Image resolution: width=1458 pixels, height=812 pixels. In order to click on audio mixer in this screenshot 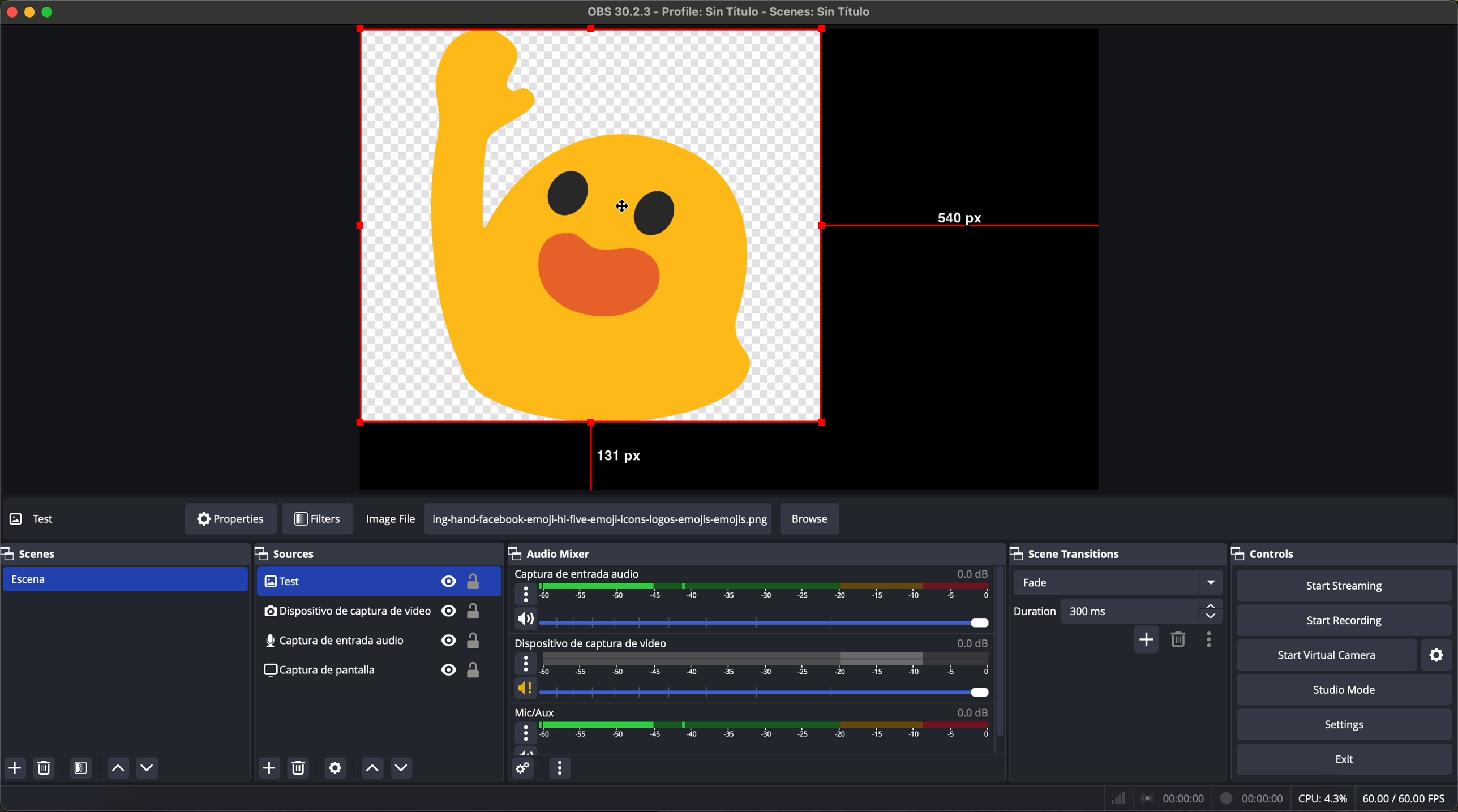, I will do `click(556, 553)`.